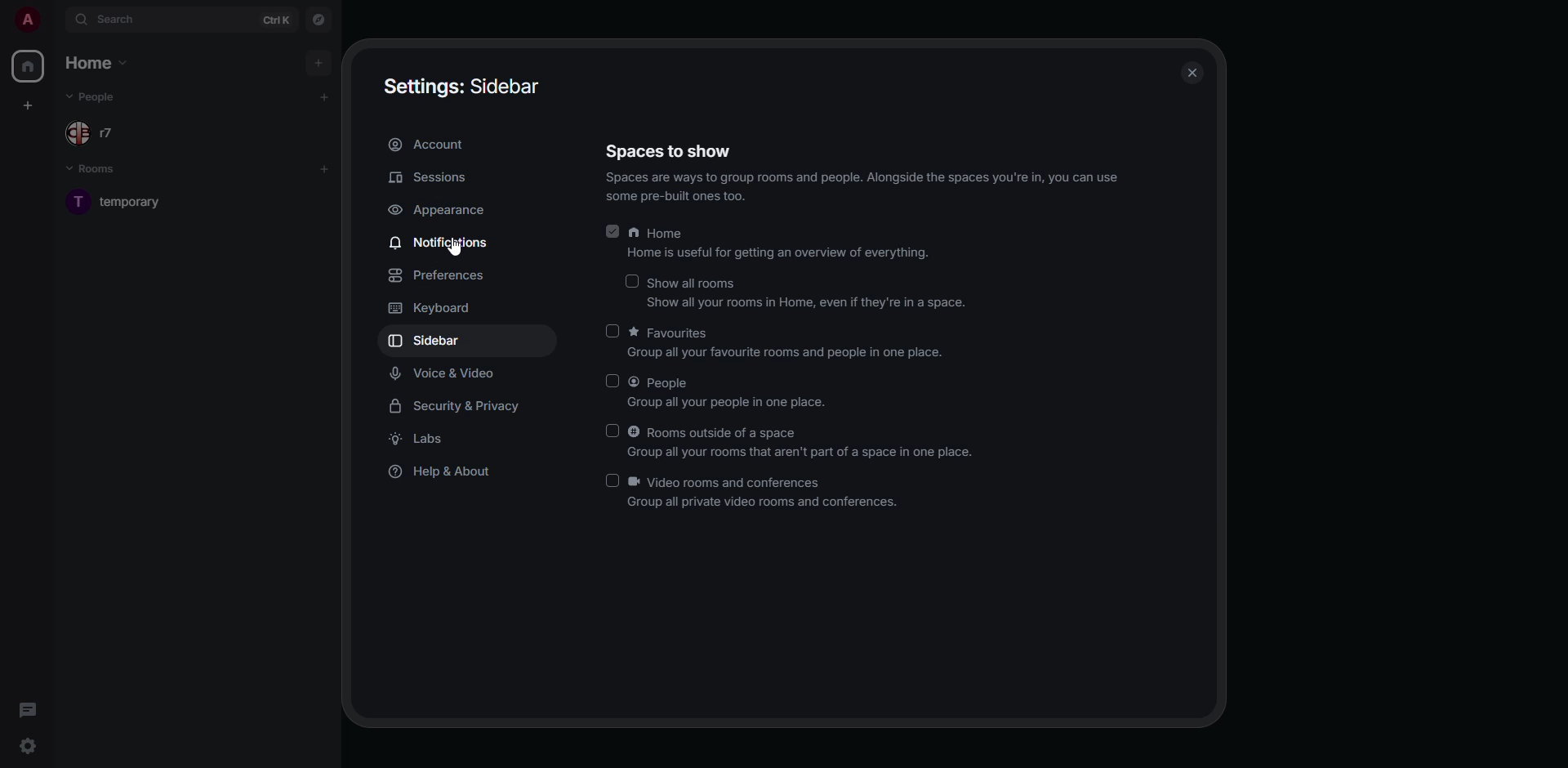 The image size is (1568, 768). What do you see at coordinates (610, 383) in the screenshot?
I see `click to enable` at bounding box center [610, 383].